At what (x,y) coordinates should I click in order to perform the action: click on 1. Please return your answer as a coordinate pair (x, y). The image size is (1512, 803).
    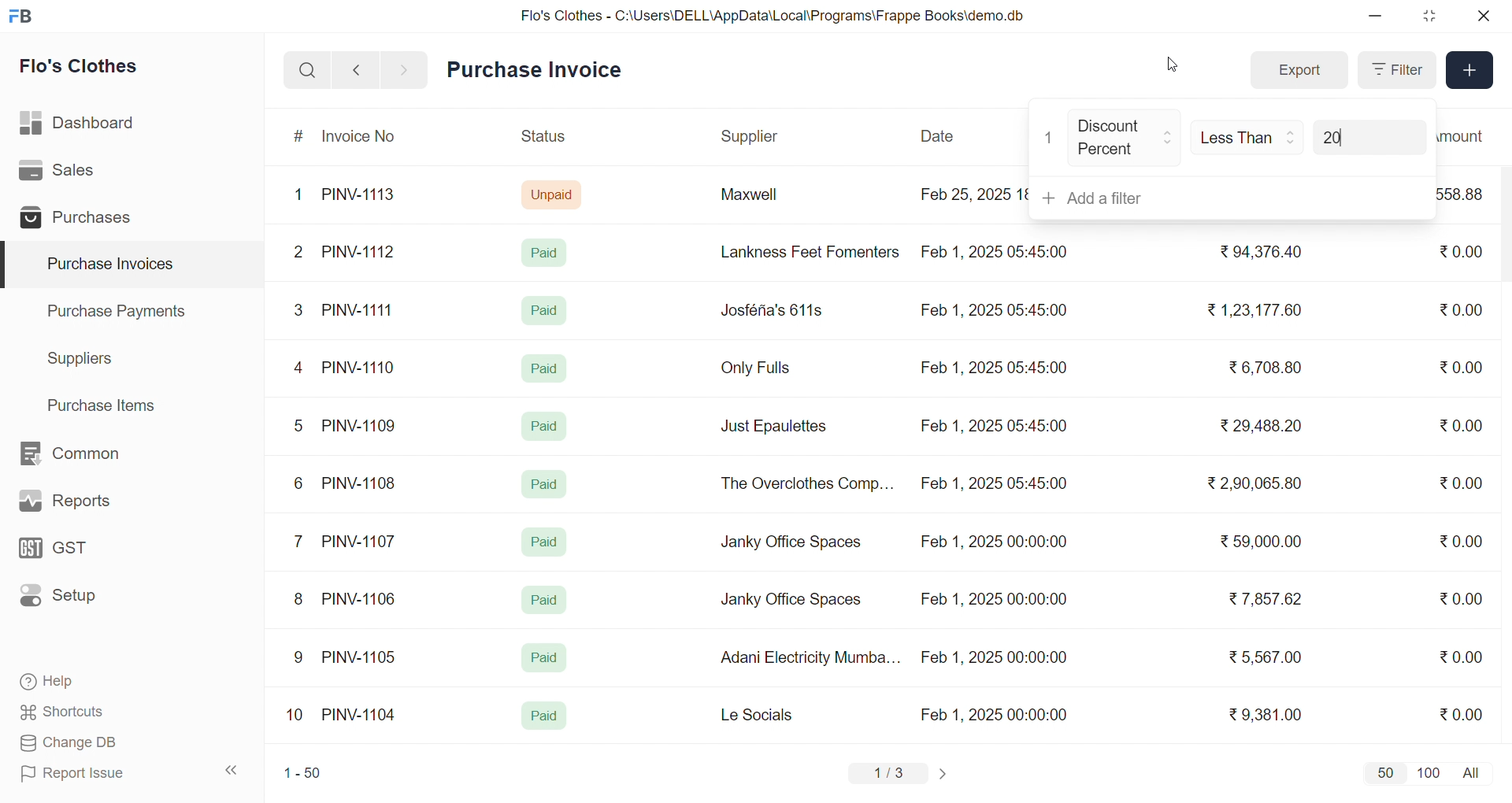
    Looking at the image, I should click on (302, 195).